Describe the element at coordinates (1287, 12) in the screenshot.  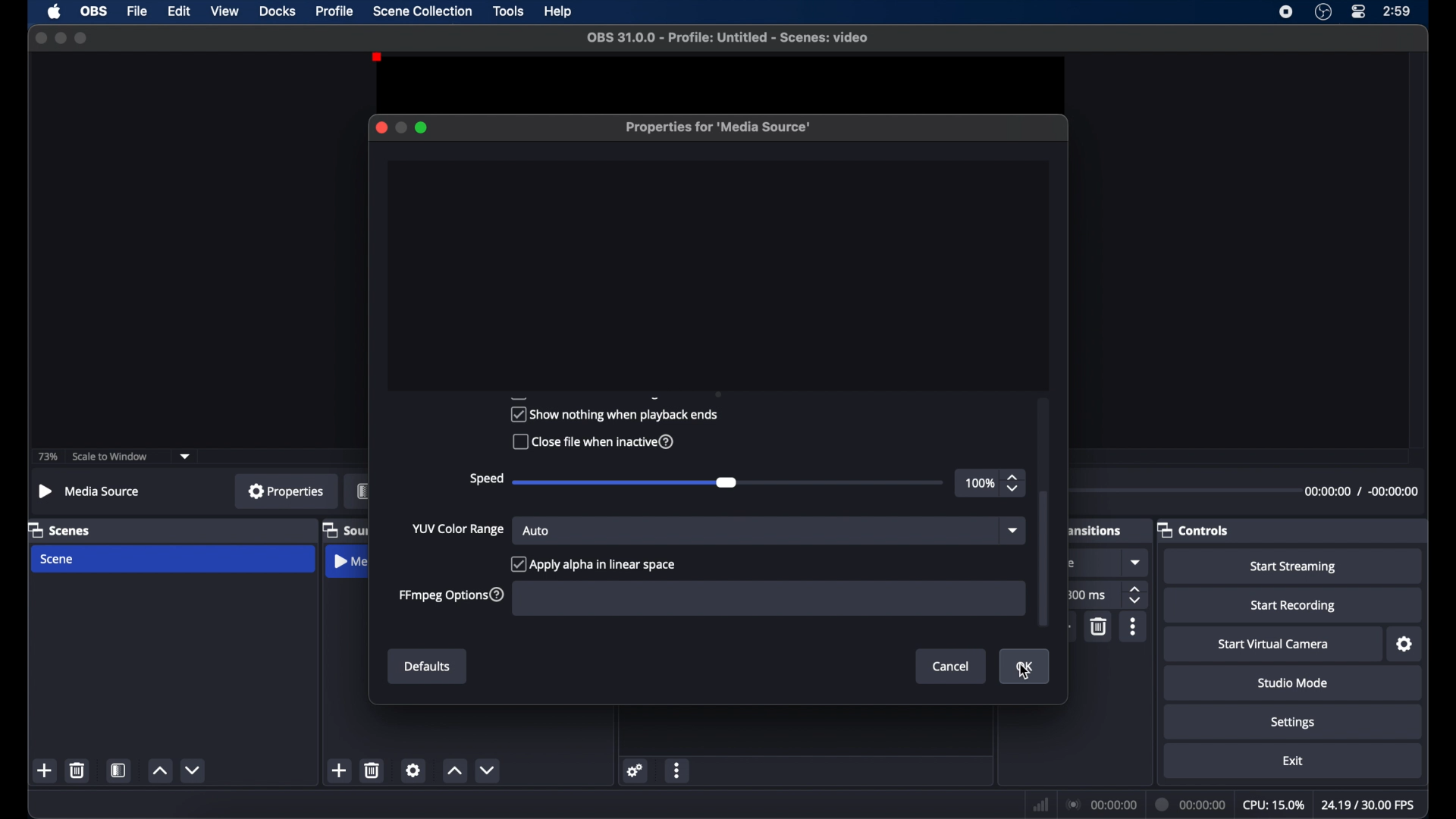
I see `screen recorder icon` at that location.